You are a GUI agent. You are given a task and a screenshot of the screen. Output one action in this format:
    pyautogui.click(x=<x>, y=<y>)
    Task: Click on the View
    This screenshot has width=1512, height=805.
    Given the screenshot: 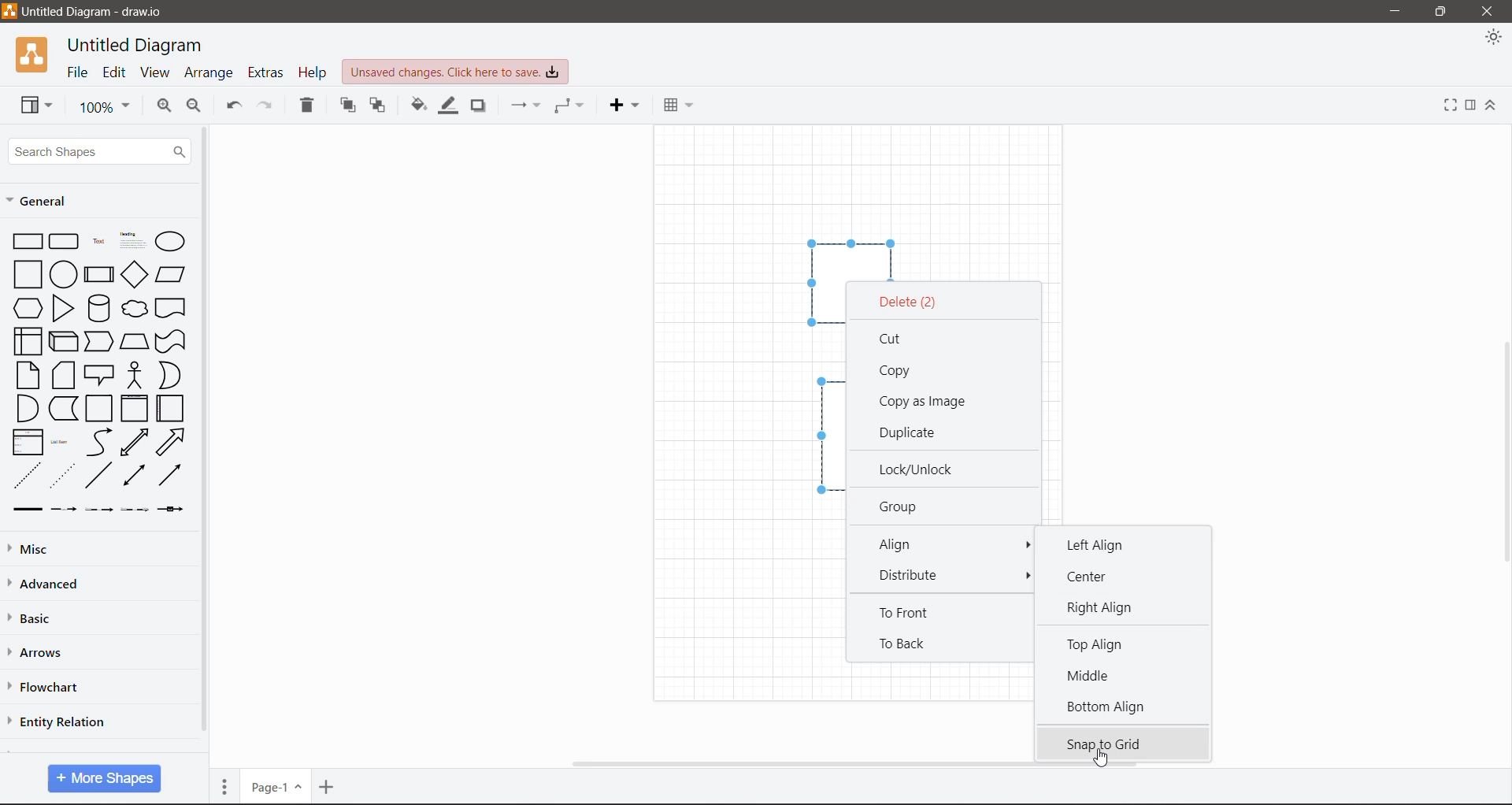 What is the action you would take?
    pyautogui.click(x=36, y=105)
    